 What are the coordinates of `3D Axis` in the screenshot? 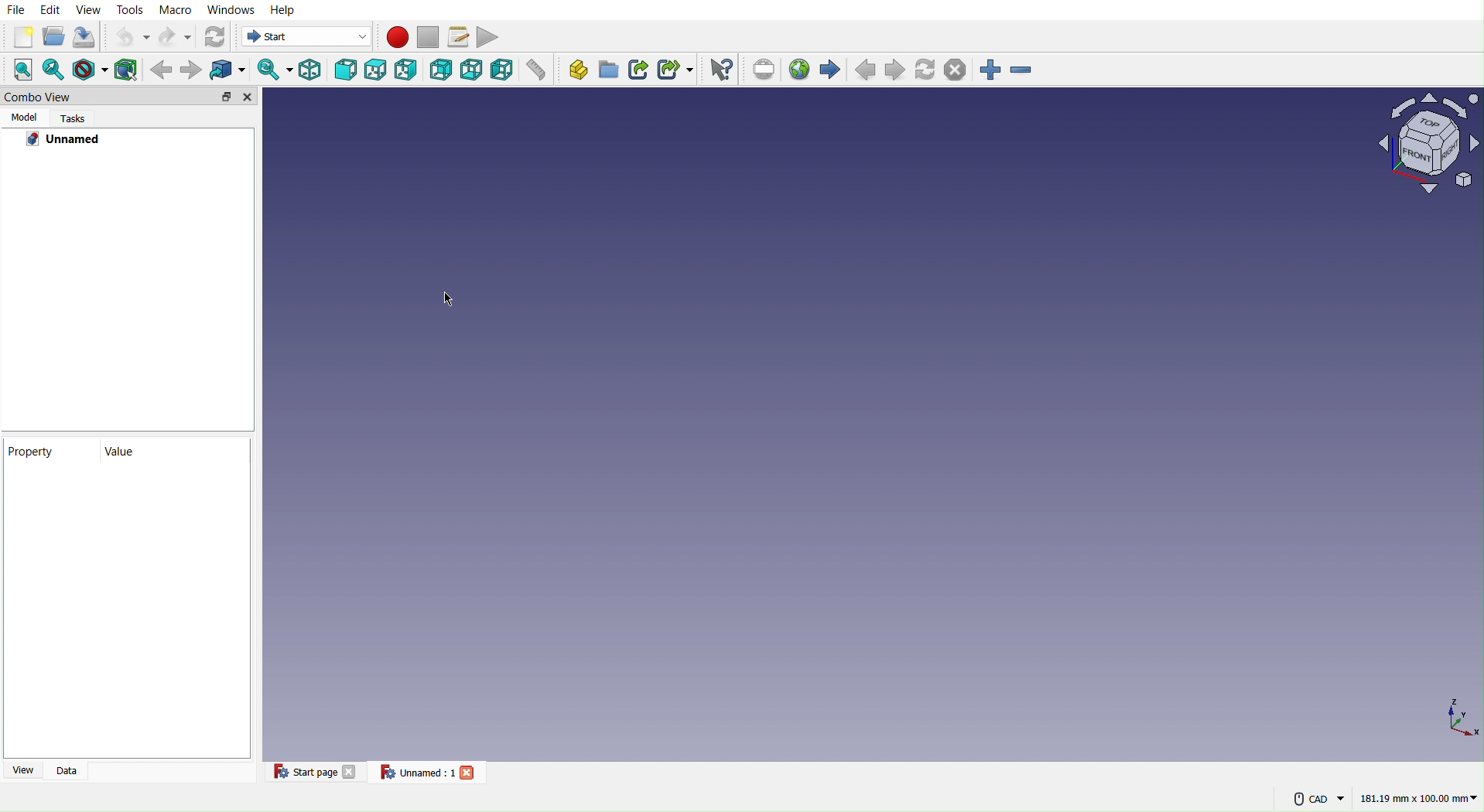 It's located at (1459, 716).